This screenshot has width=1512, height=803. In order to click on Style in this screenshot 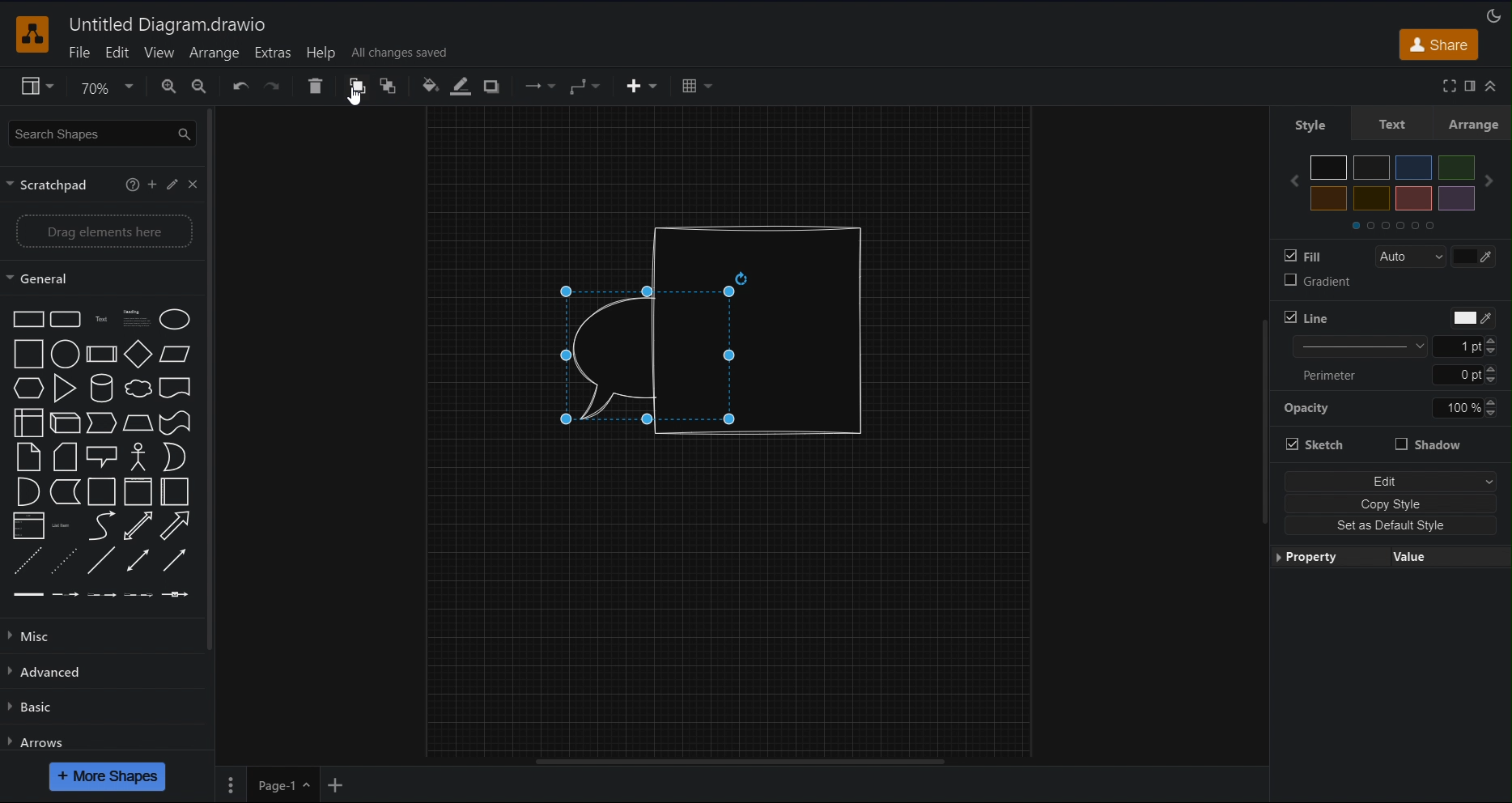, I will do `click(1311, 122)`.